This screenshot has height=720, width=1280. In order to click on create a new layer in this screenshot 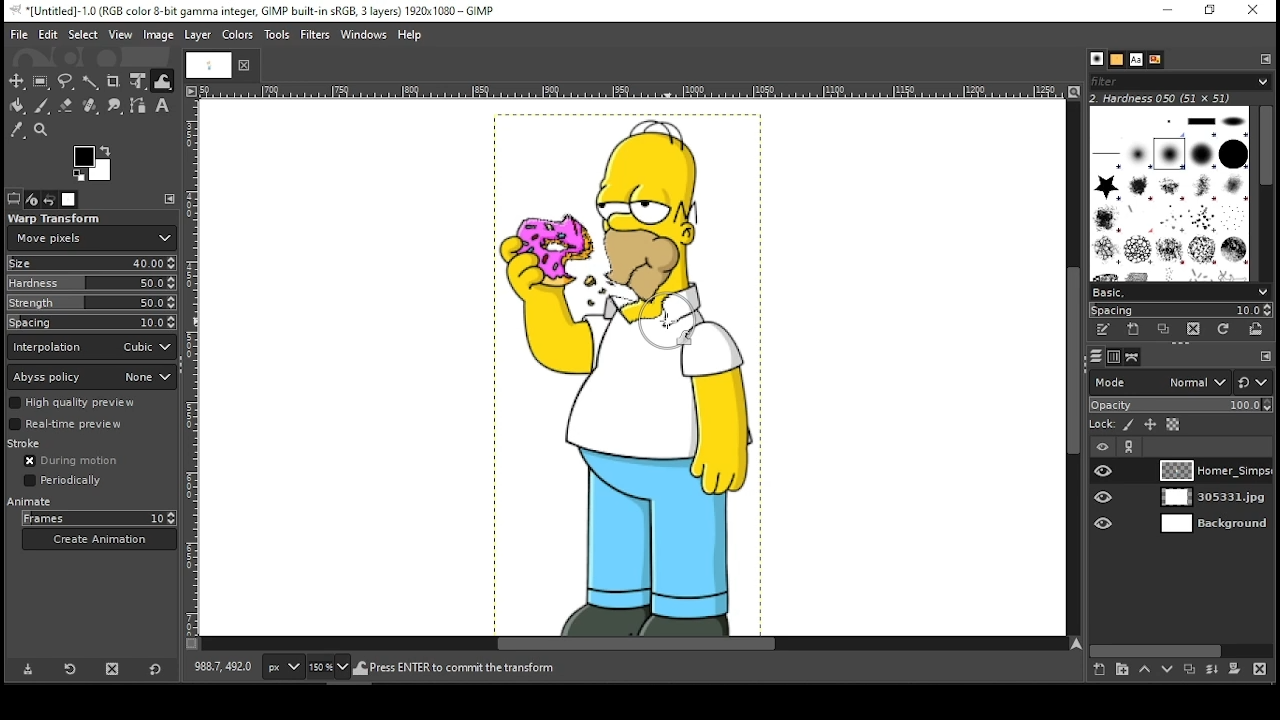, I will do `click(1101, 671)`.